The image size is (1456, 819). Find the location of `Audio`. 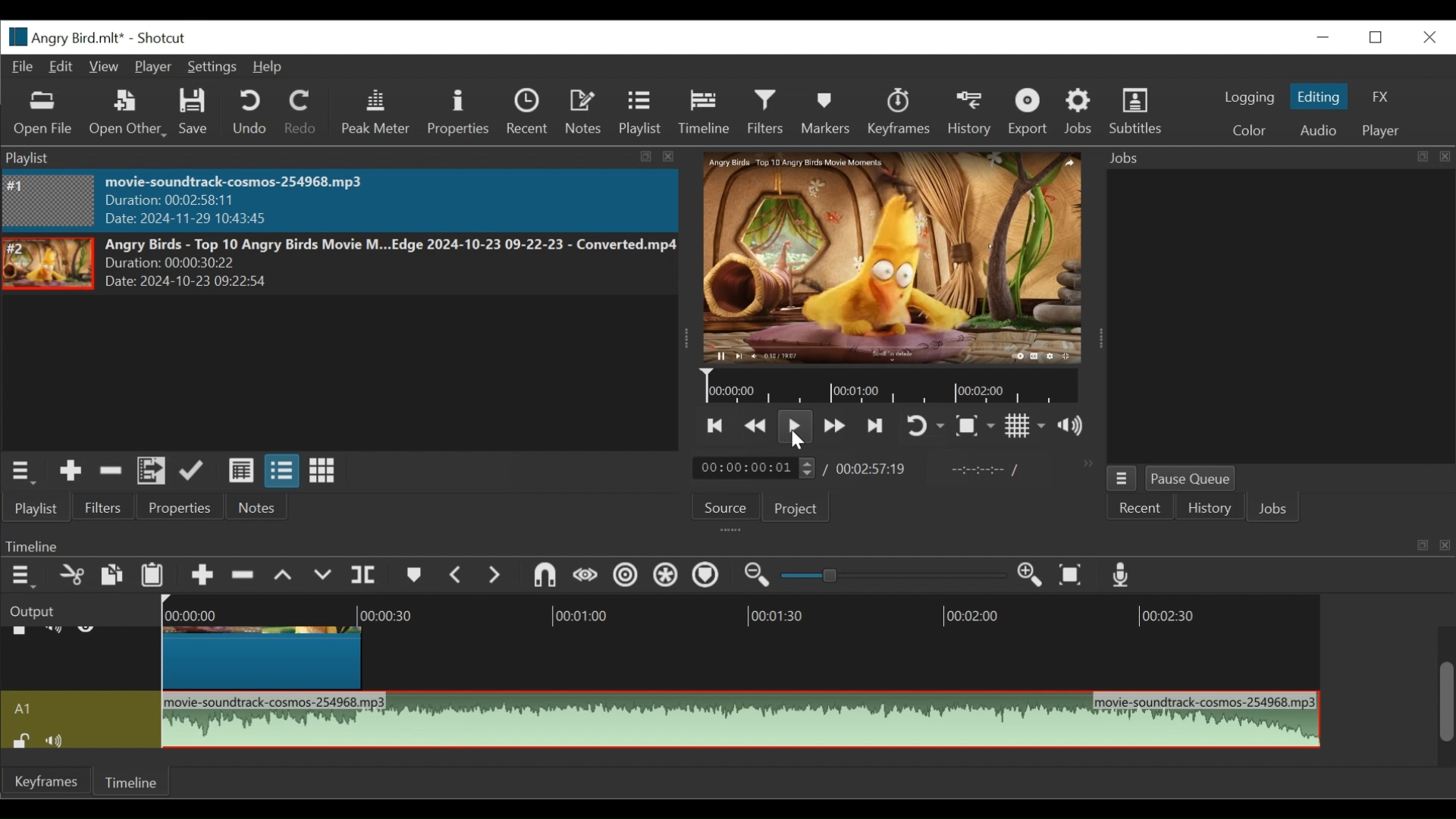

Audio is located at coordinates (1319, 130).